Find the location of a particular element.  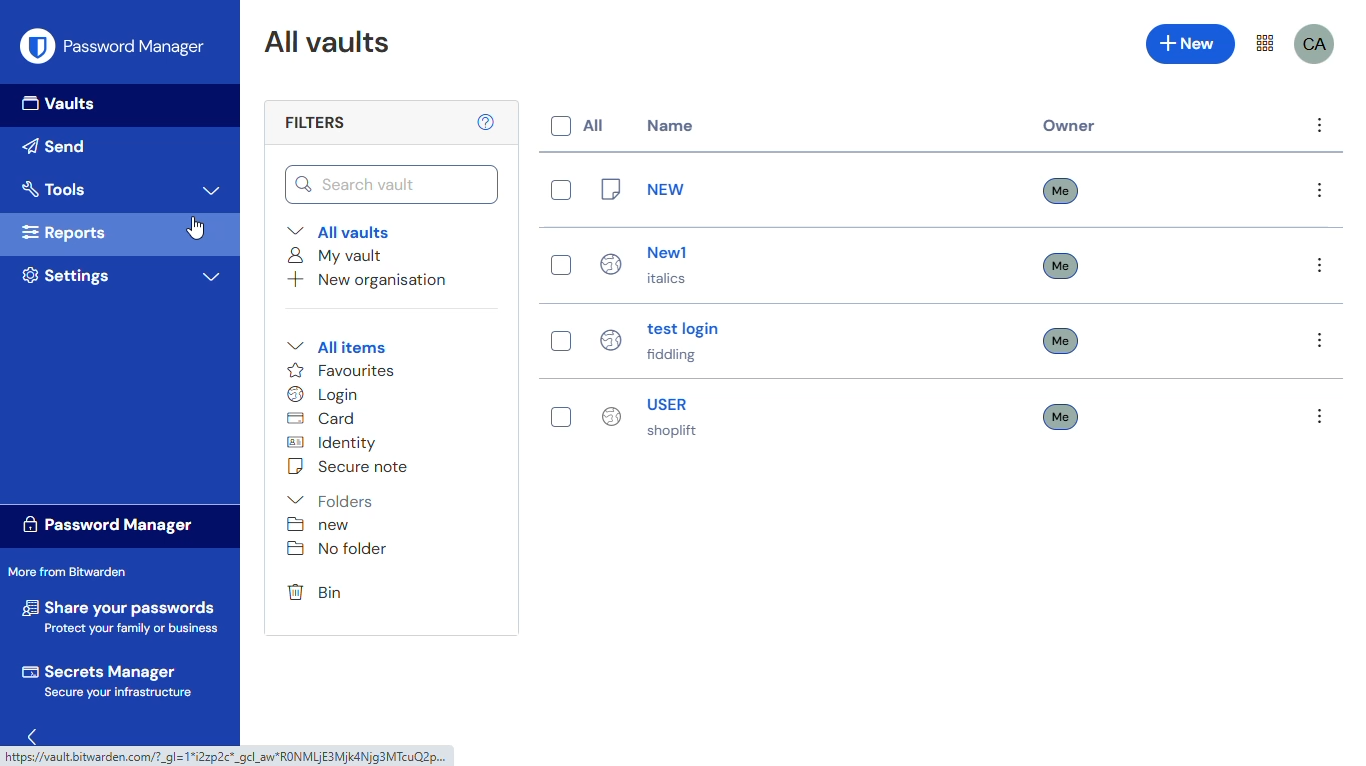

all items is located at coordinates (337, 346).